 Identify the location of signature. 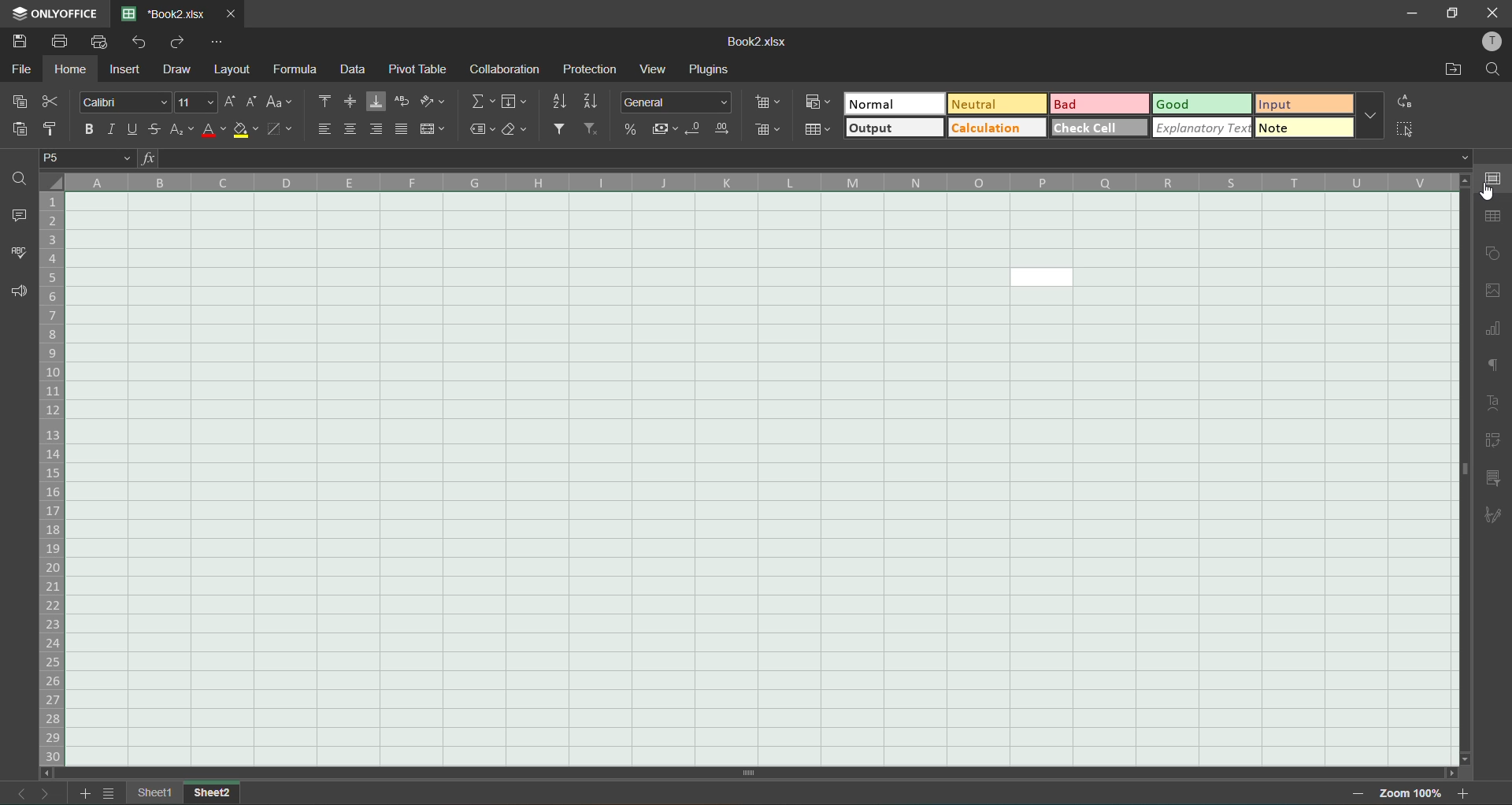
(1493, 516).